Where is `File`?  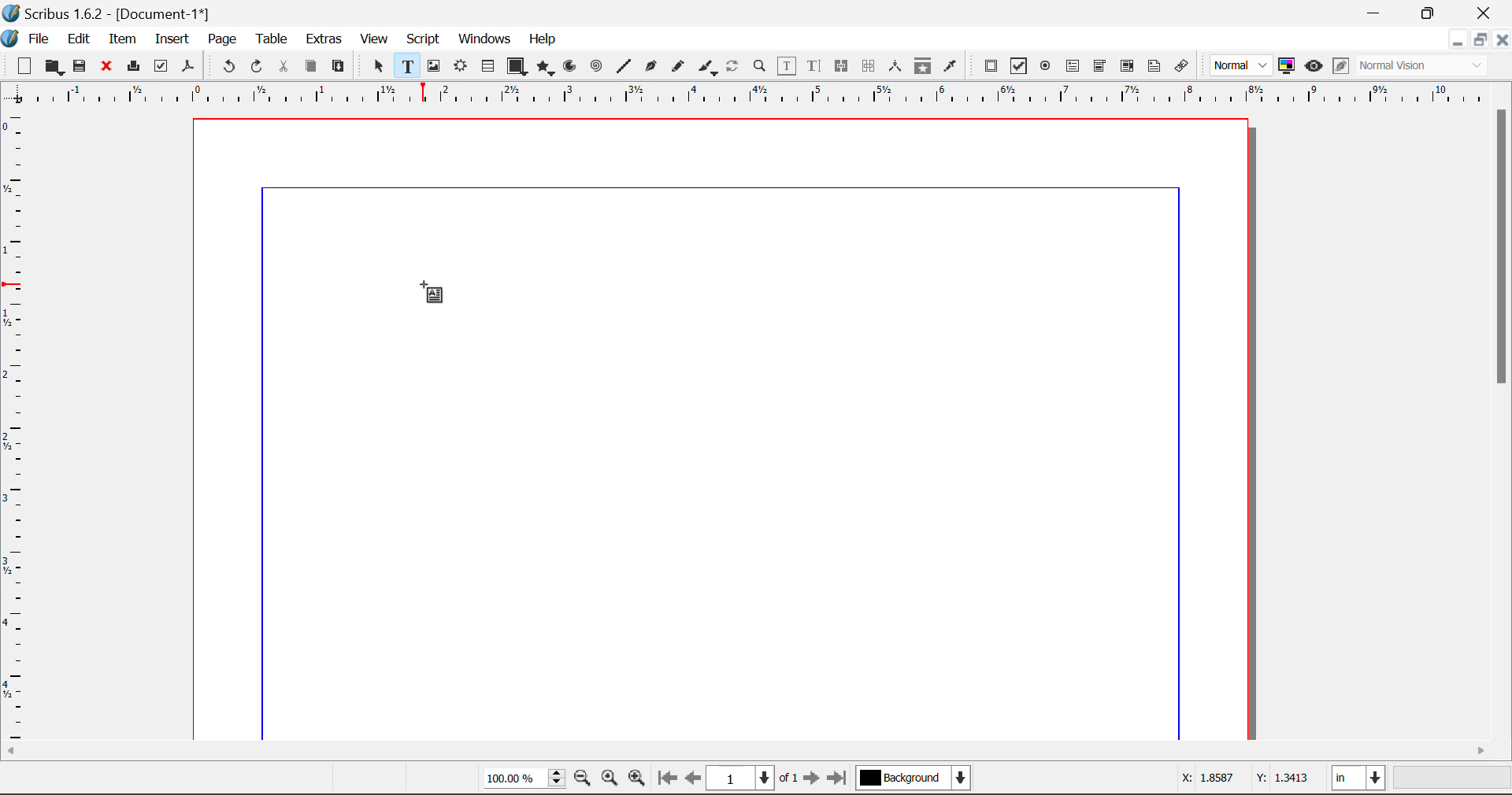 File is located at coordinates (28, 37).